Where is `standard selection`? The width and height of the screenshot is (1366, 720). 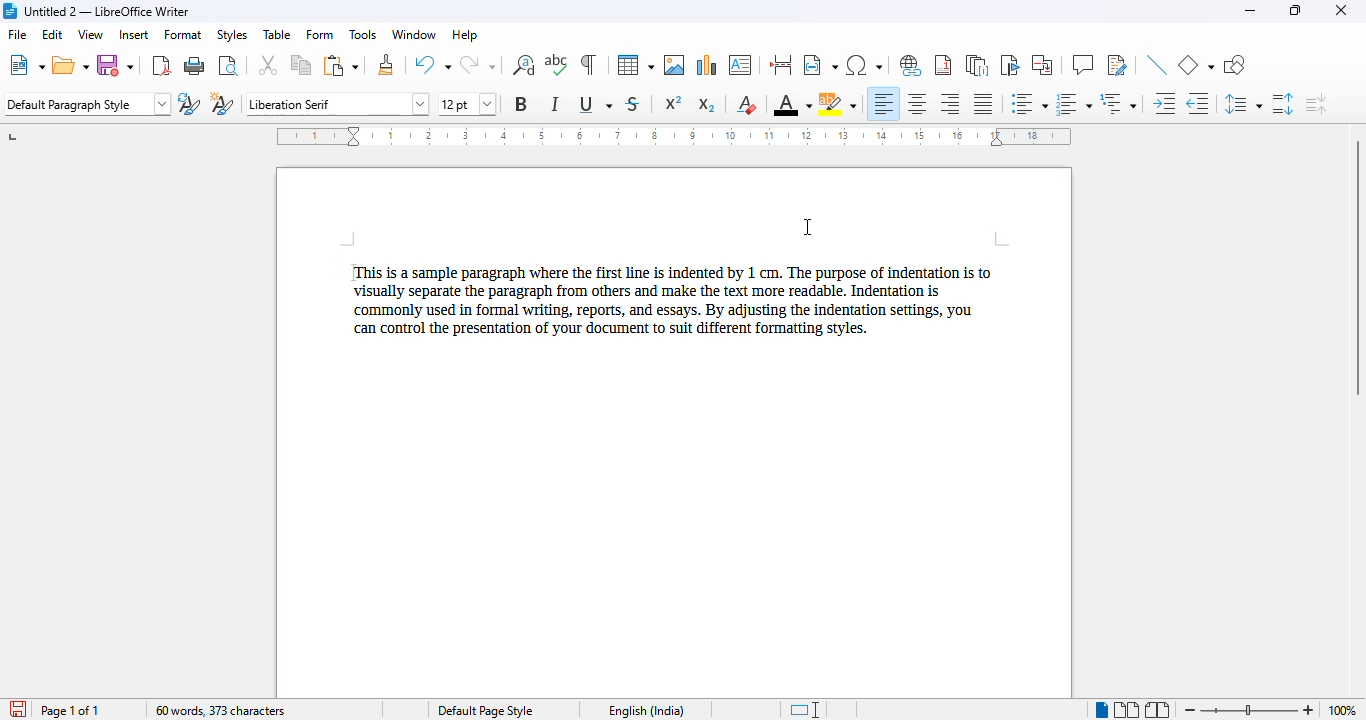
standard selection is located at coordinates (808, 709).